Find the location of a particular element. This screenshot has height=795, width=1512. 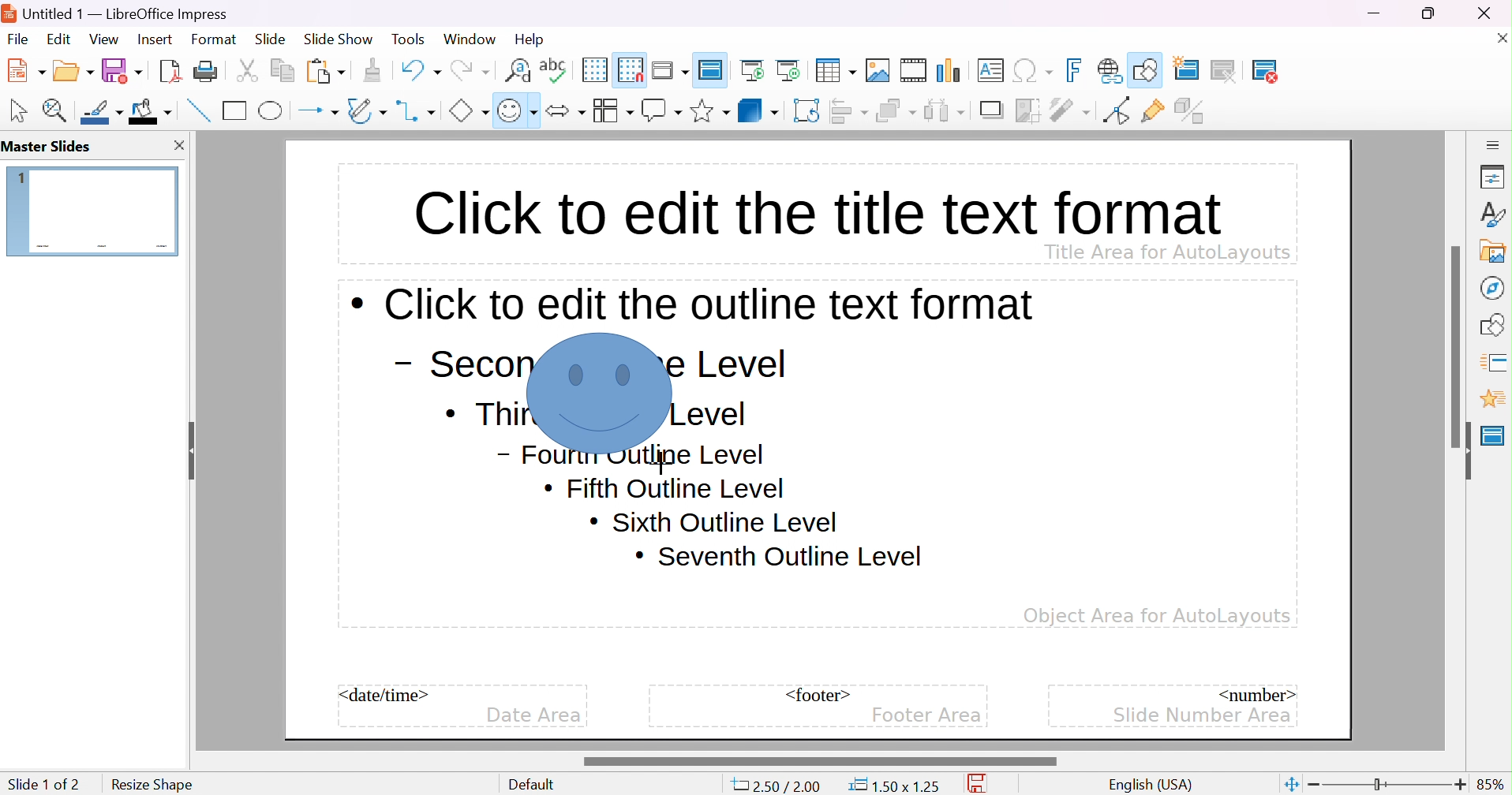

file is located at coordinates (18, 39).